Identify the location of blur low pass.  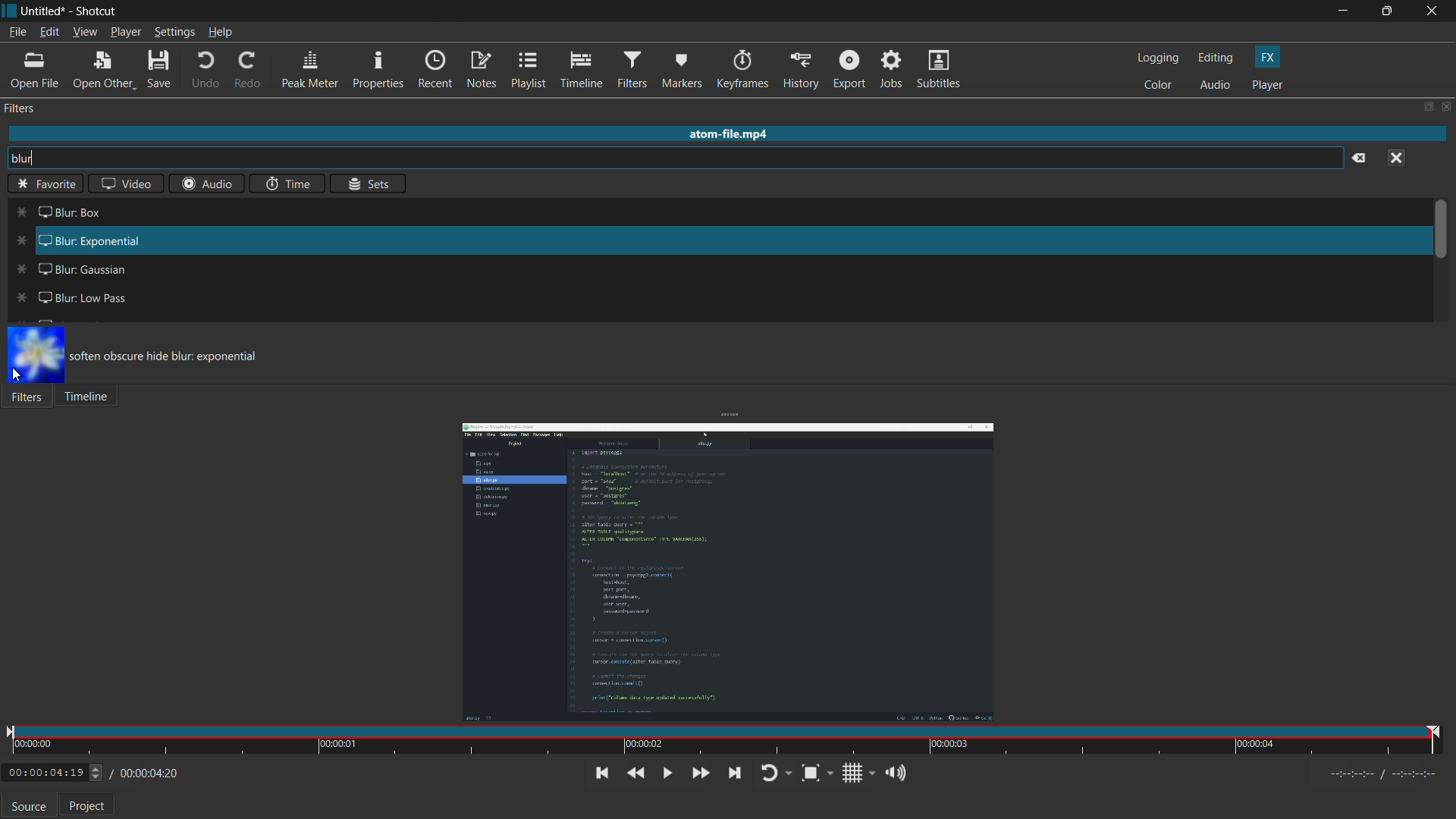
(72, 296).